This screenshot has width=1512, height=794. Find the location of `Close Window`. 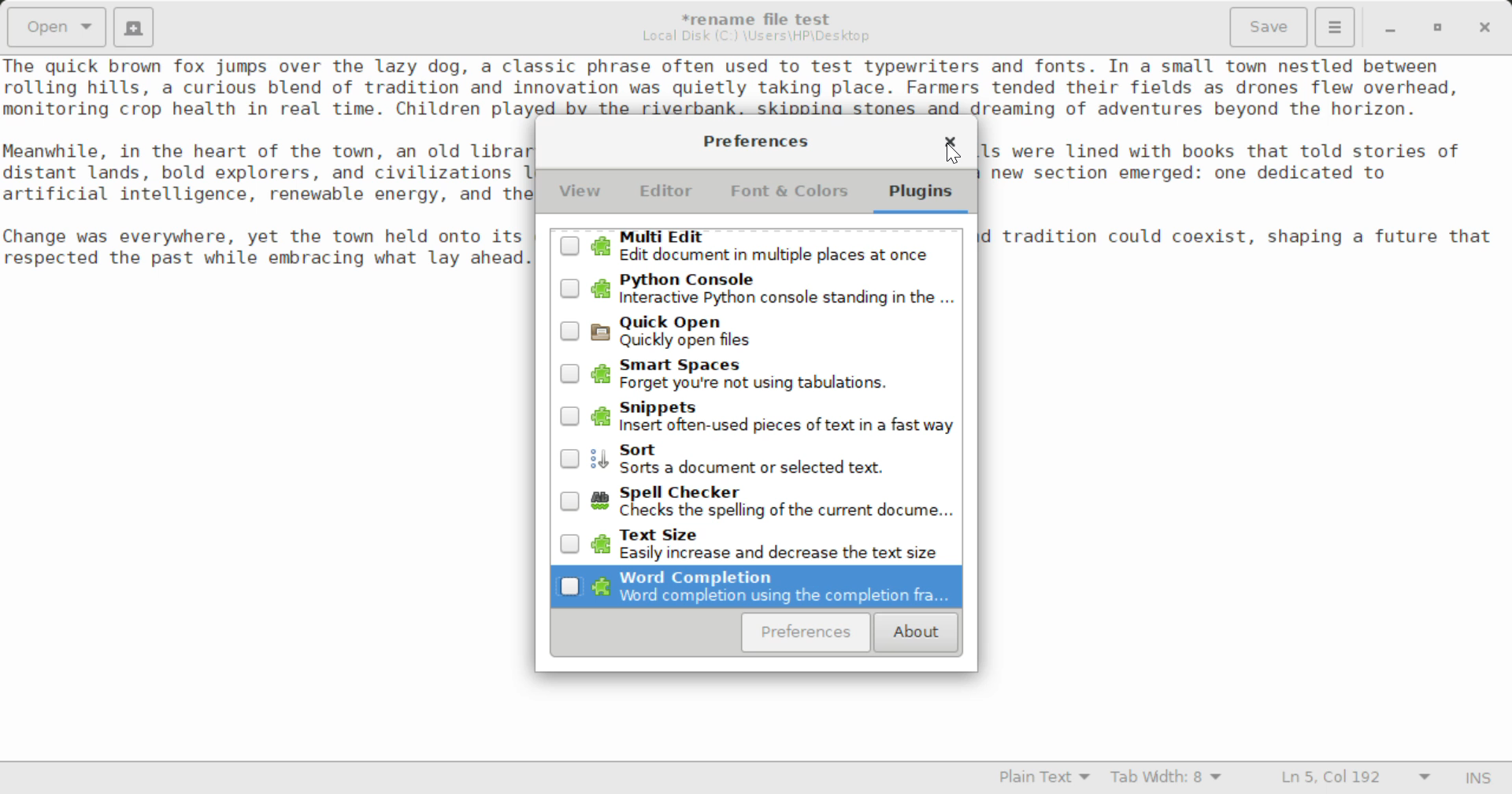

Close Window is located at coordinates (1487, 26).